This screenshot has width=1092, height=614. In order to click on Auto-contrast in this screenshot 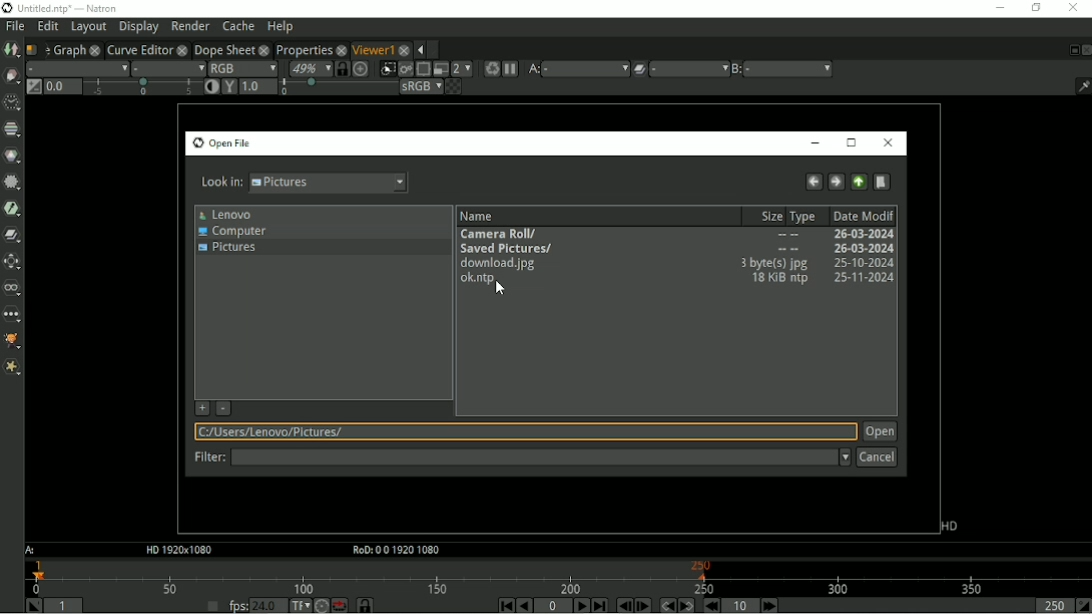, I will do `click(212, 87)`.